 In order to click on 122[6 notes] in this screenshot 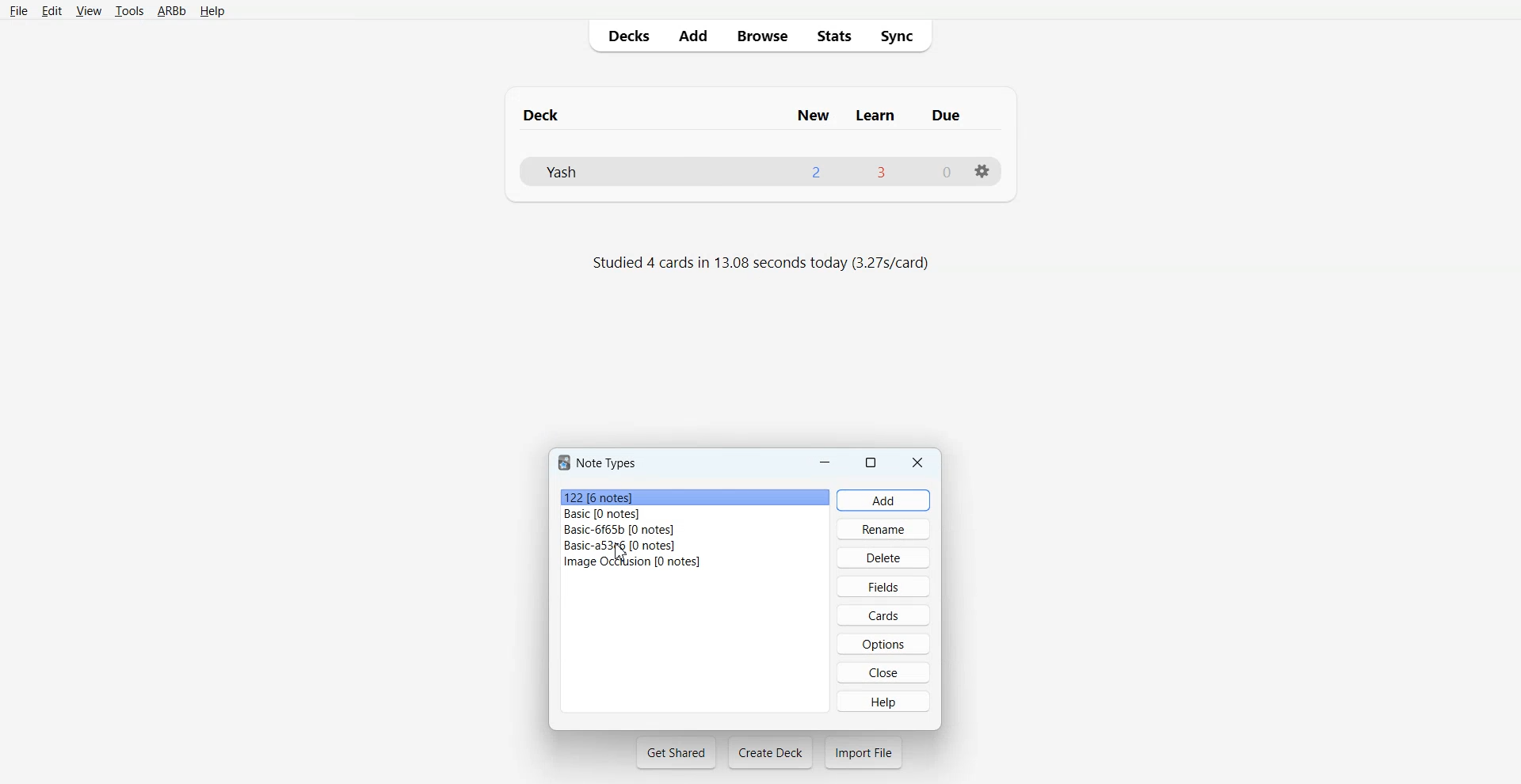, I will do `click(693, 496)`.